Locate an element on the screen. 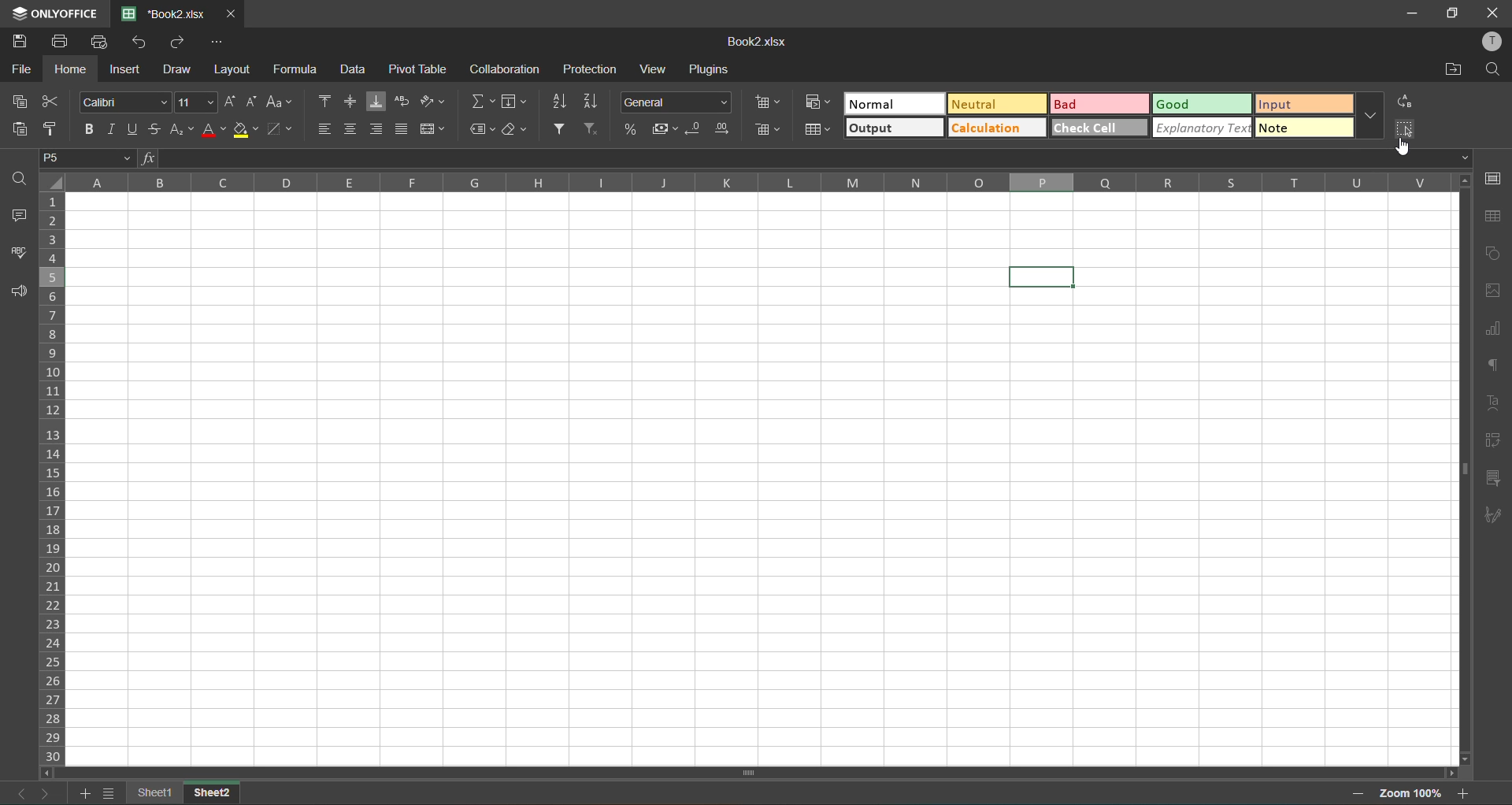  font size is located at coordinates (195, 102).